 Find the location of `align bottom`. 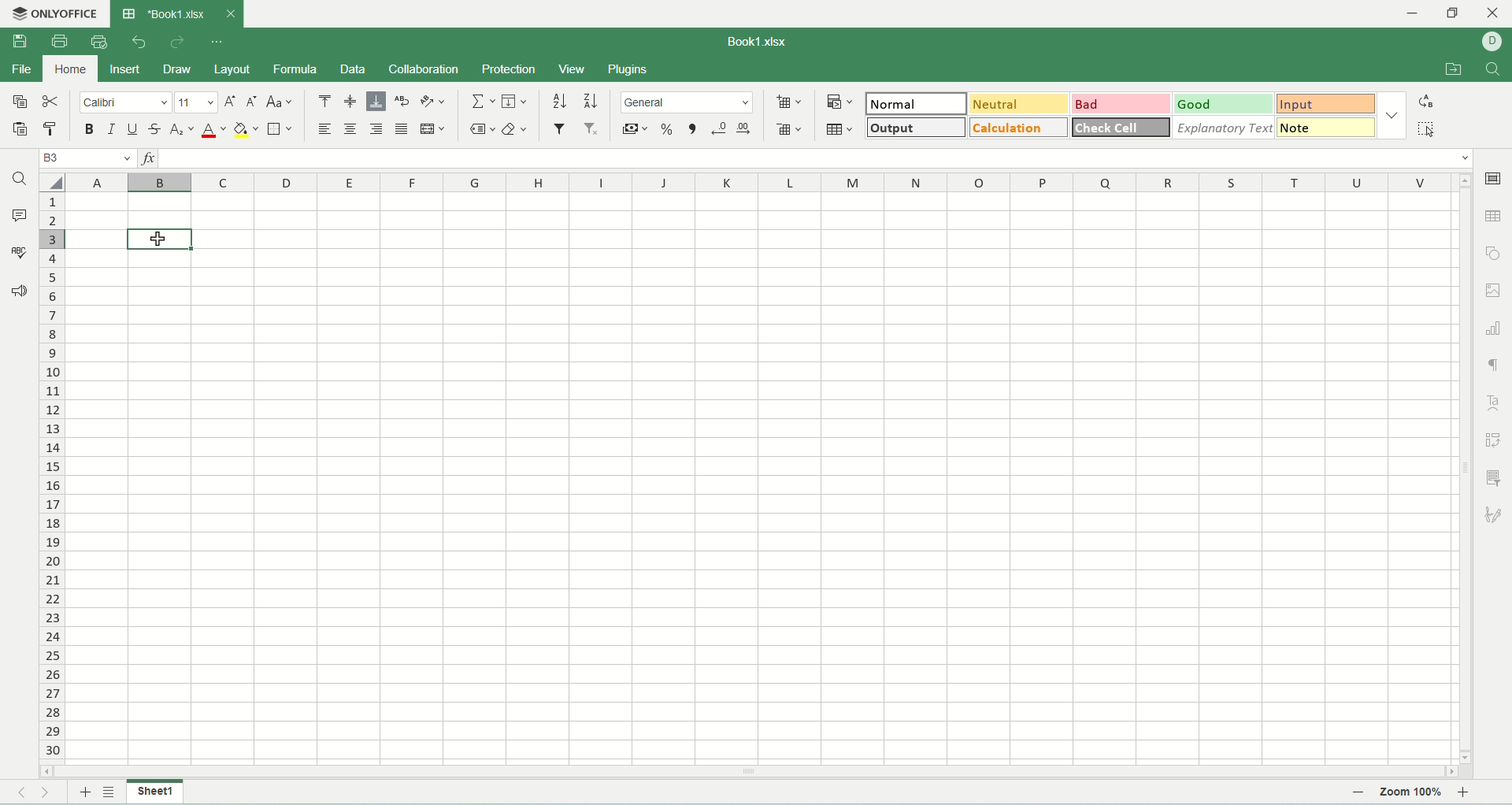

align bottom is located at coordinates (375, 102).